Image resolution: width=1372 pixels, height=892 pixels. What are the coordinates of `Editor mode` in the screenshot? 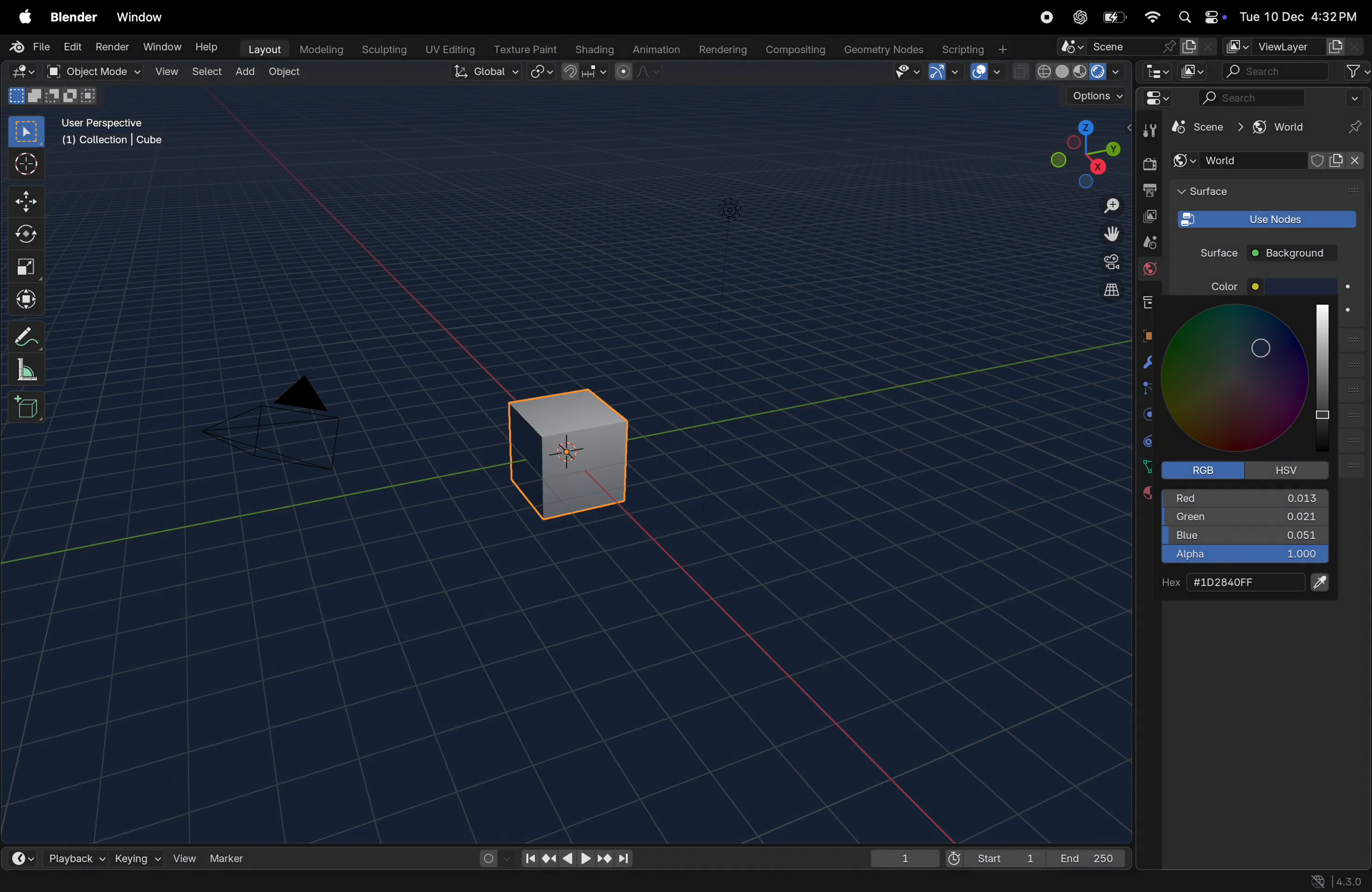 It's located at (1155, 98).